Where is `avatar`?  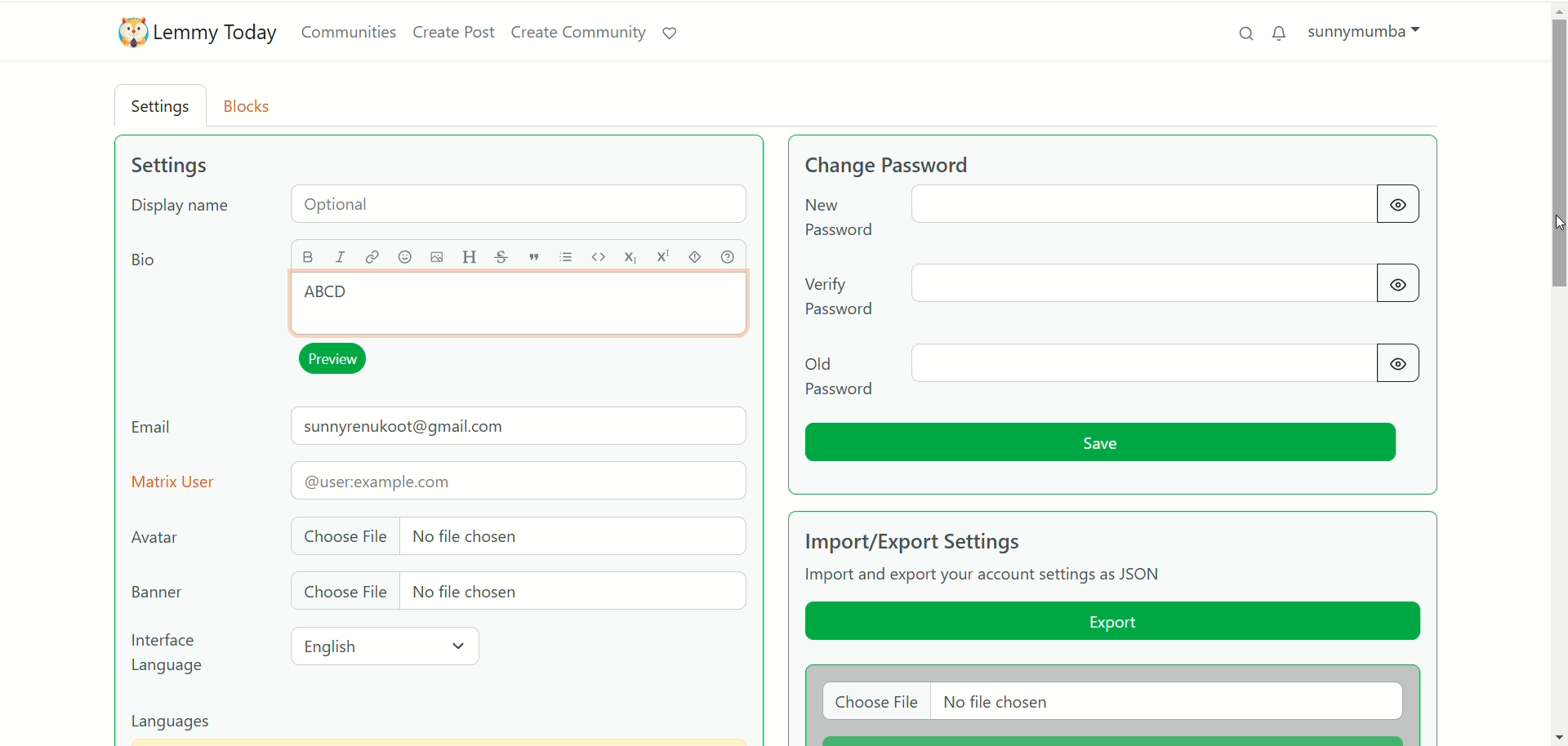 avatar is located at coordinates (158, 537).